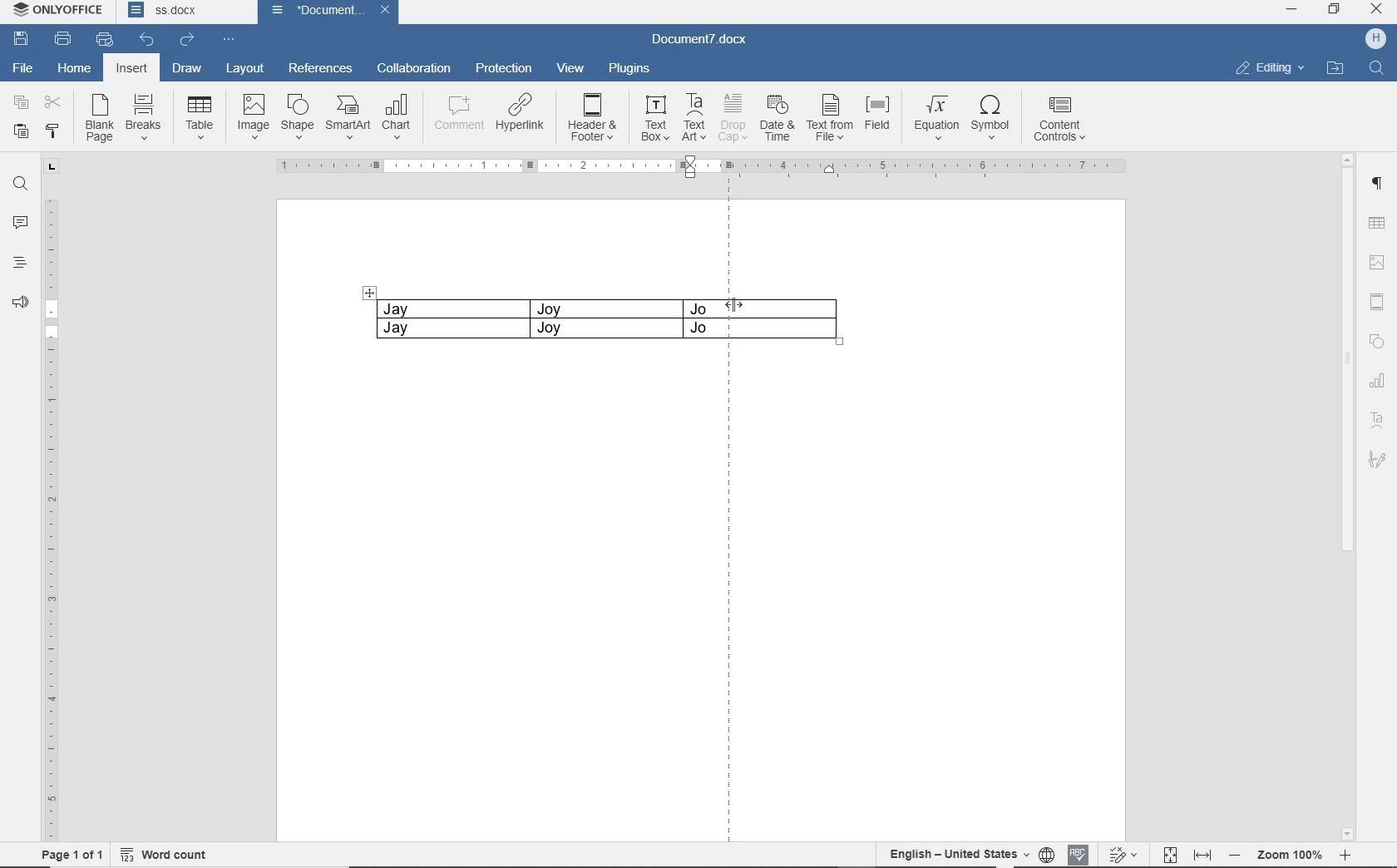 The image size is (1397, 868). Describe the element at coordinates (1377, 420) in the screenshot. I see `TEXT ART` at that location.